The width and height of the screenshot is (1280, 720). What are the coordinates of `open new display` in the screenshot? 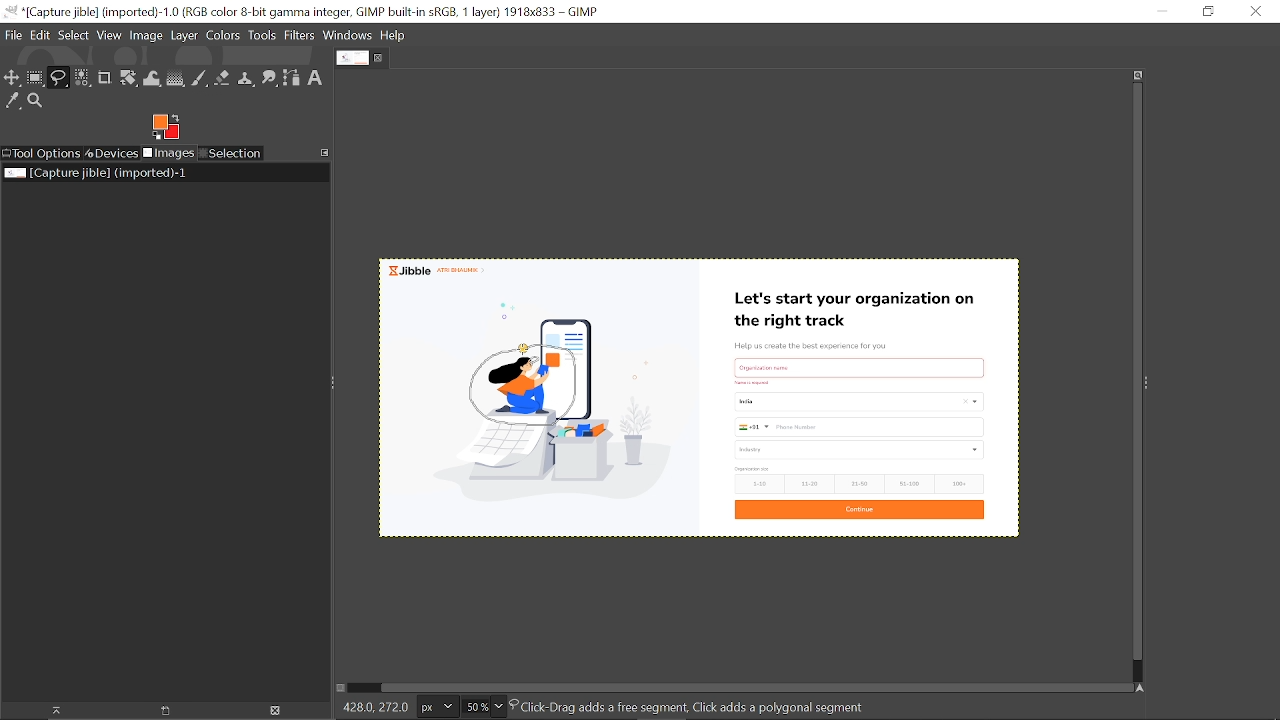 It's located at (158, 711).